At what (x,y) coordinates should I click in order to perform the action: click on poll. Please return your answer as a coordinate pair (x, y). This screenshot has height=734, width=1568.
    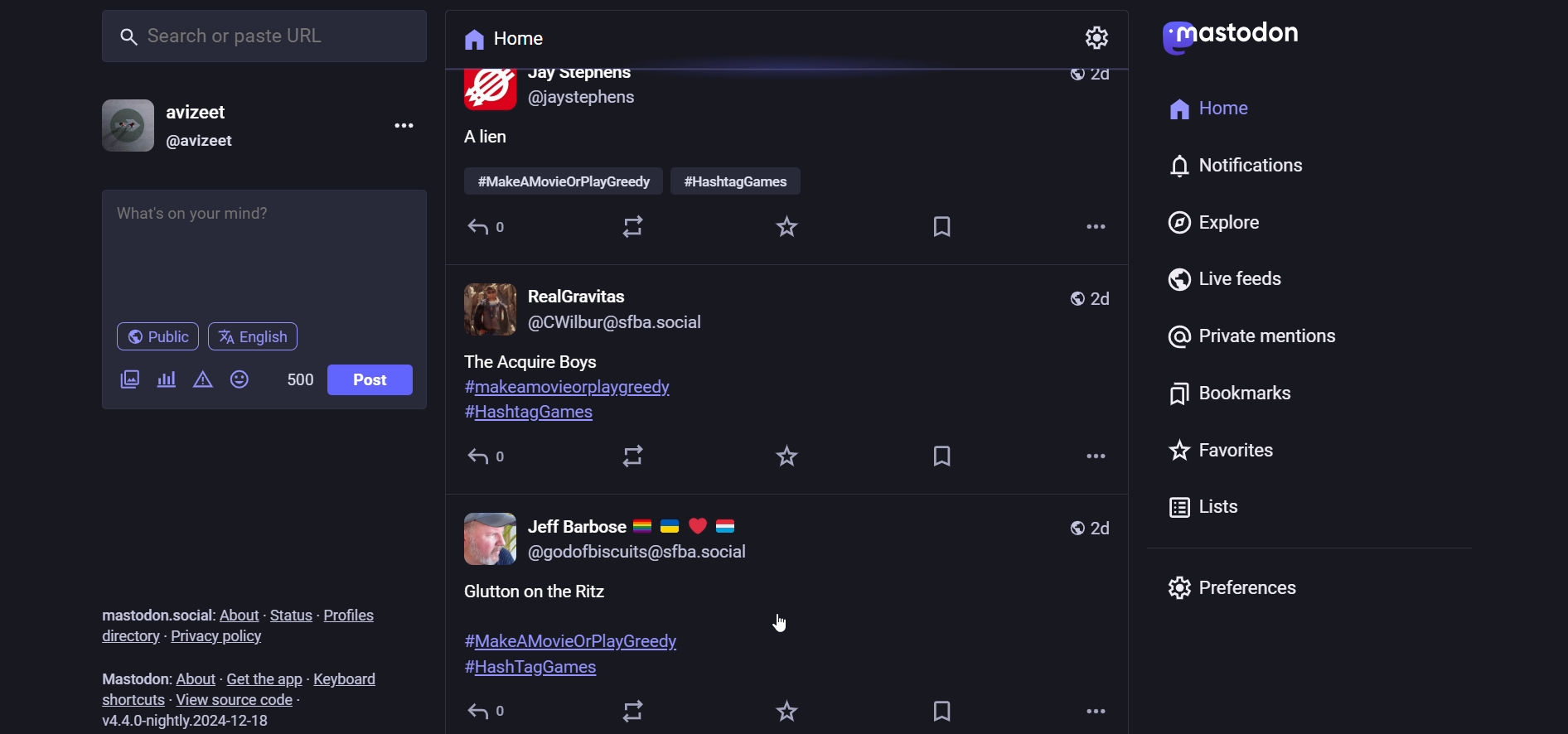
    Looking at the image, I should click on (169, 381).